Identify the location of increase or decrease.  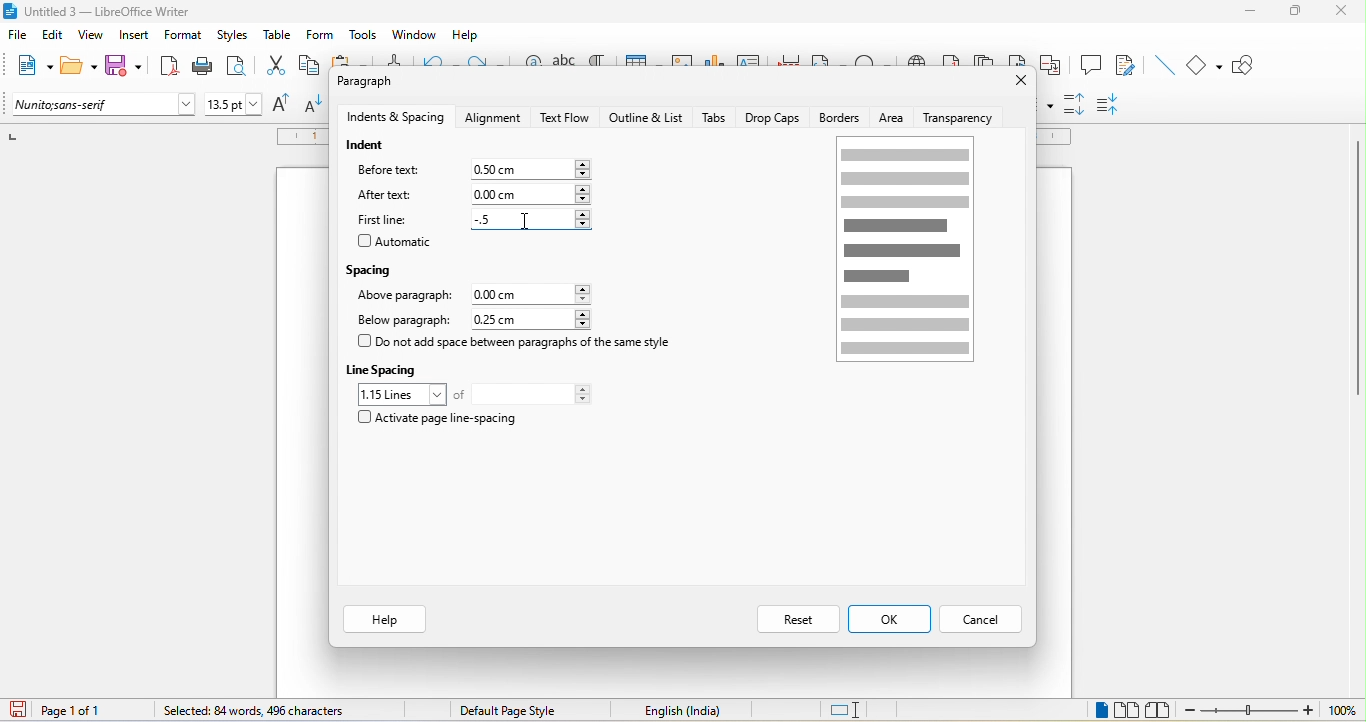
(583, 169).